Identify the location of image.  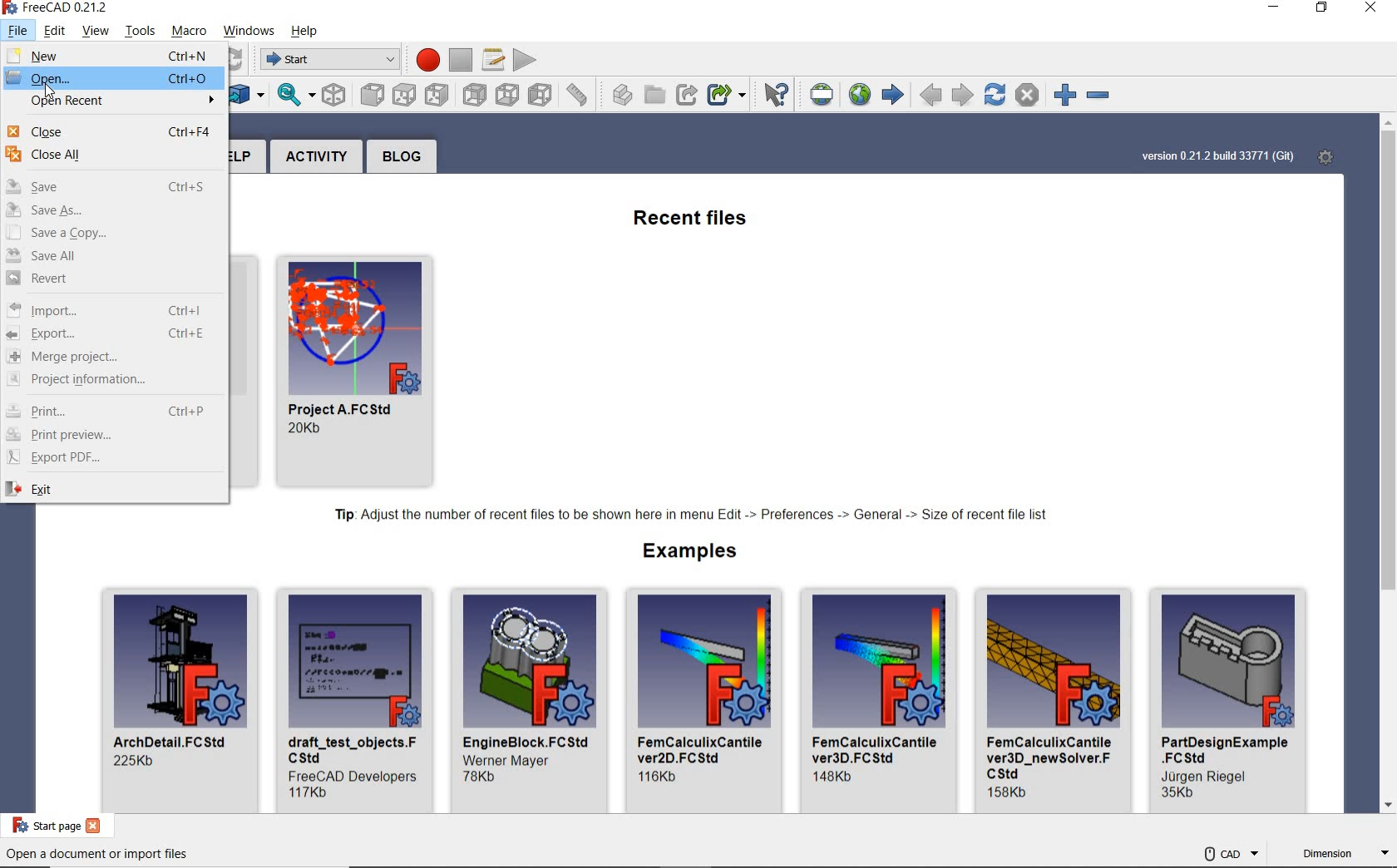
(356, 660).